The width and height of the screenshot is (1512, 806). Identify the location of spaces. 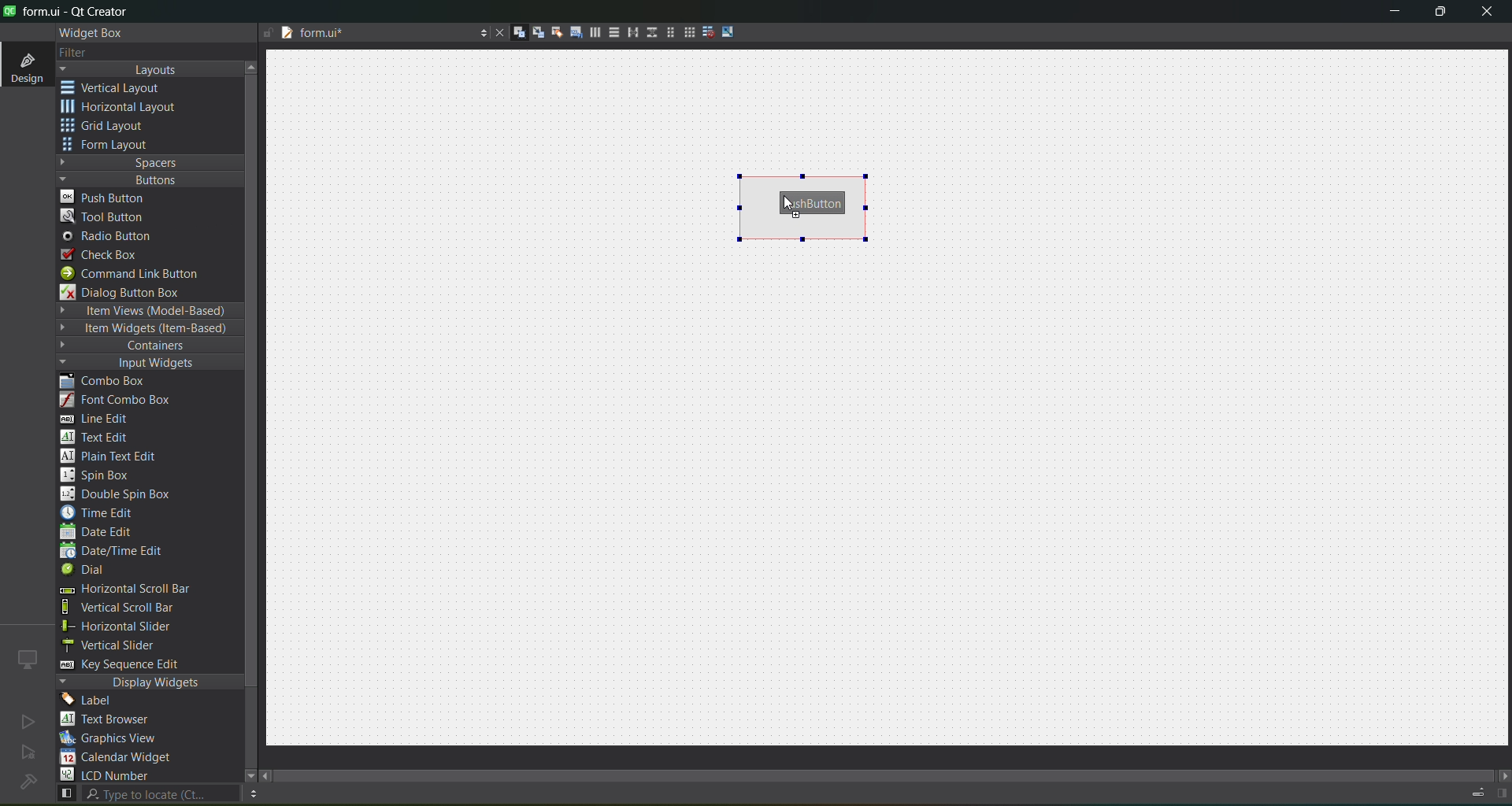
(150, 162).